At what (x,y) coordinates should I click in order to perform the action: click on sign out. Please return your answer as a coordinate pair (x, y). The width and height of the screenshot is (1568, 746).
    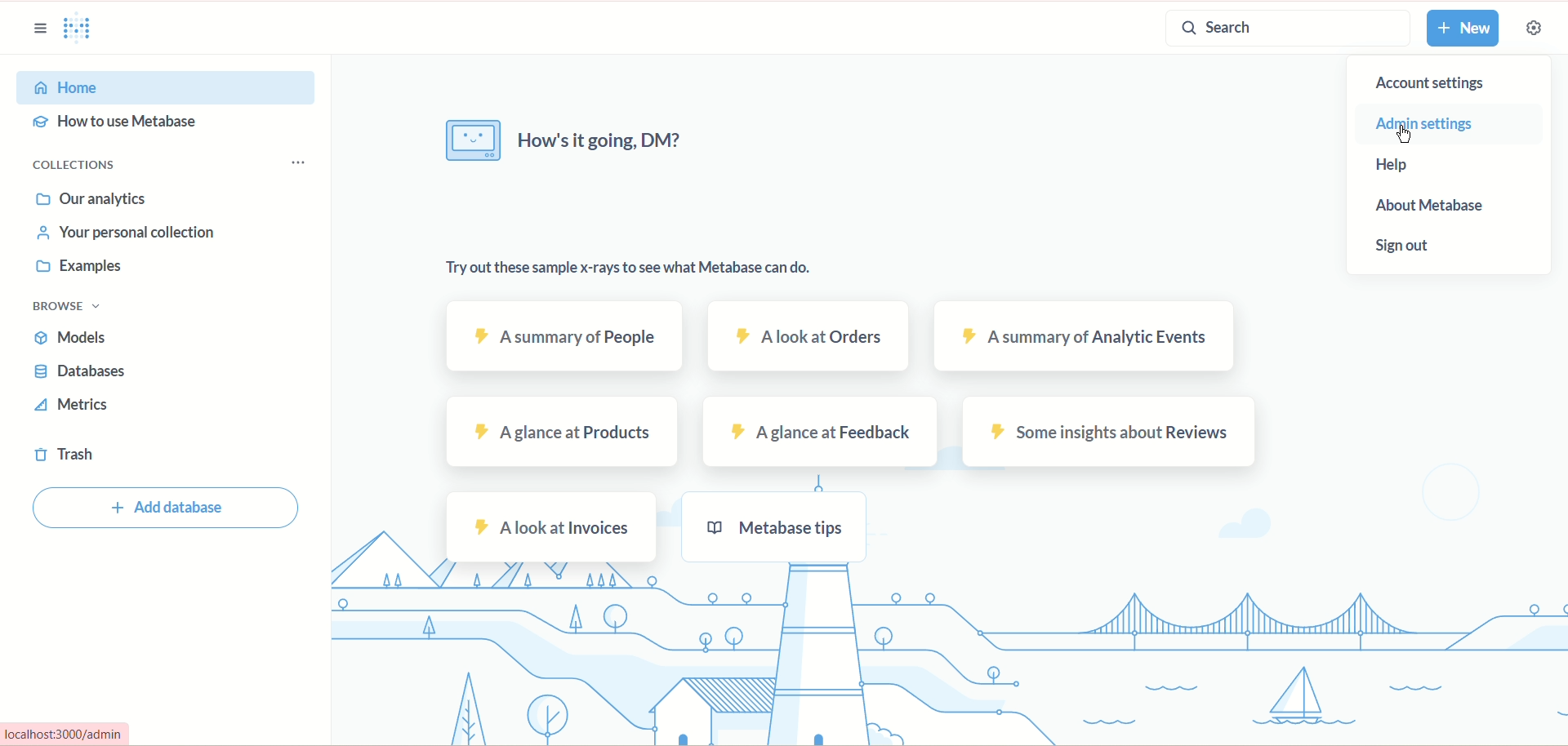
    Looking at the image, I should click on (1410, 246).